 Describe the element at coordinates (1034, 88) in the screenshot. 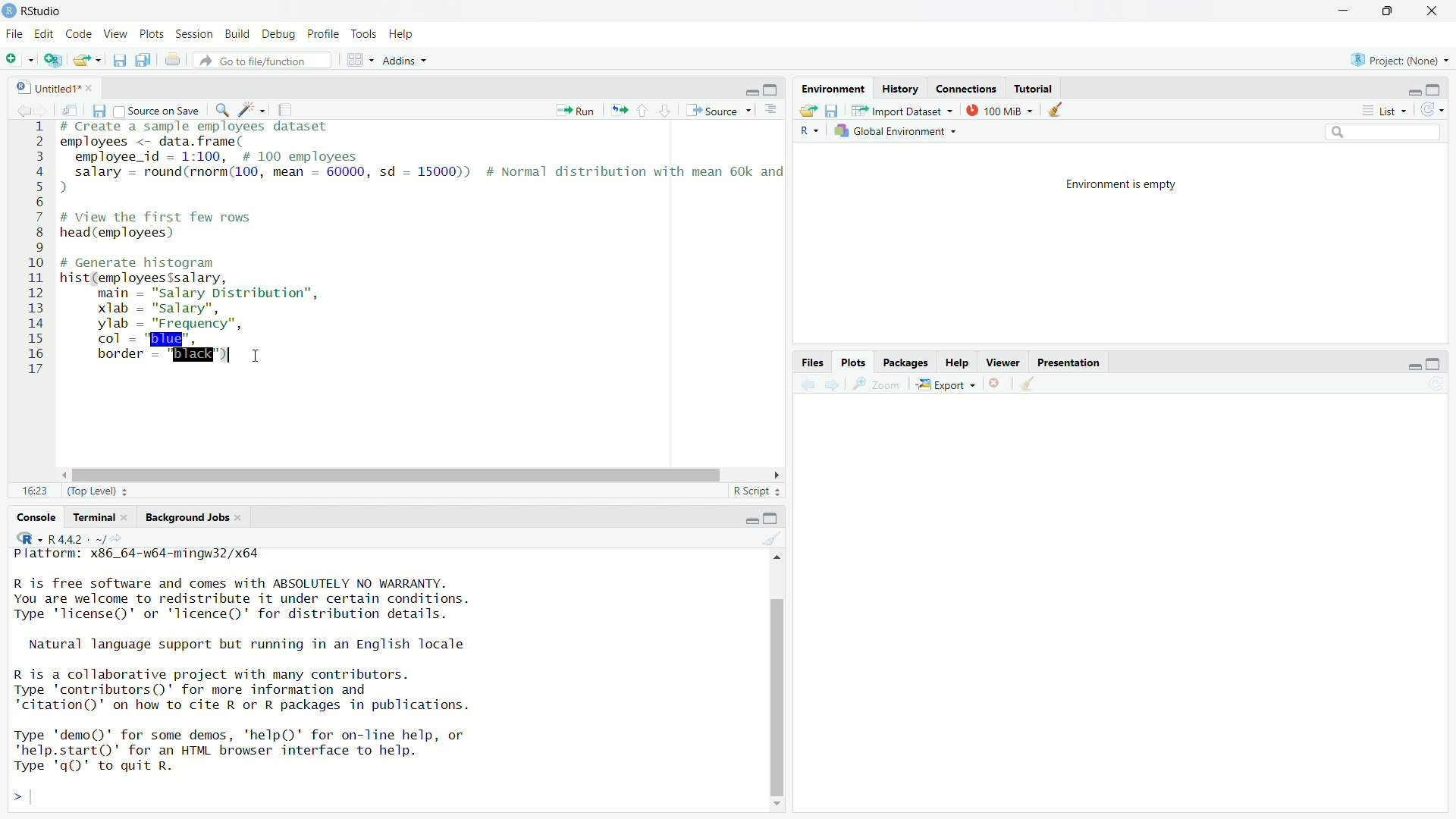

I see `Tutorial` at that location.